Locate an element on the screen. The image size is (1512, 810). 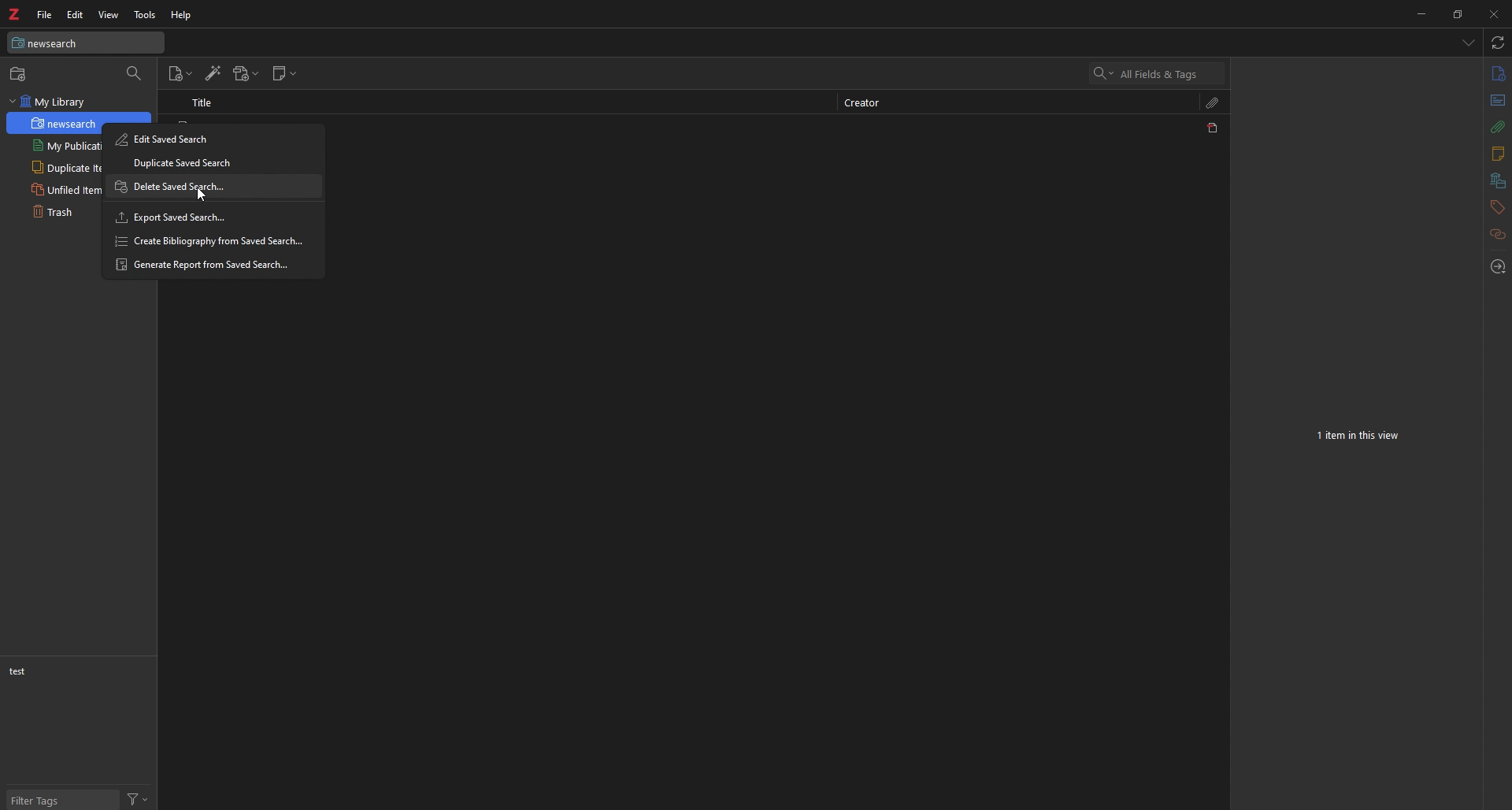
New item is located at coordinates (178, 74).